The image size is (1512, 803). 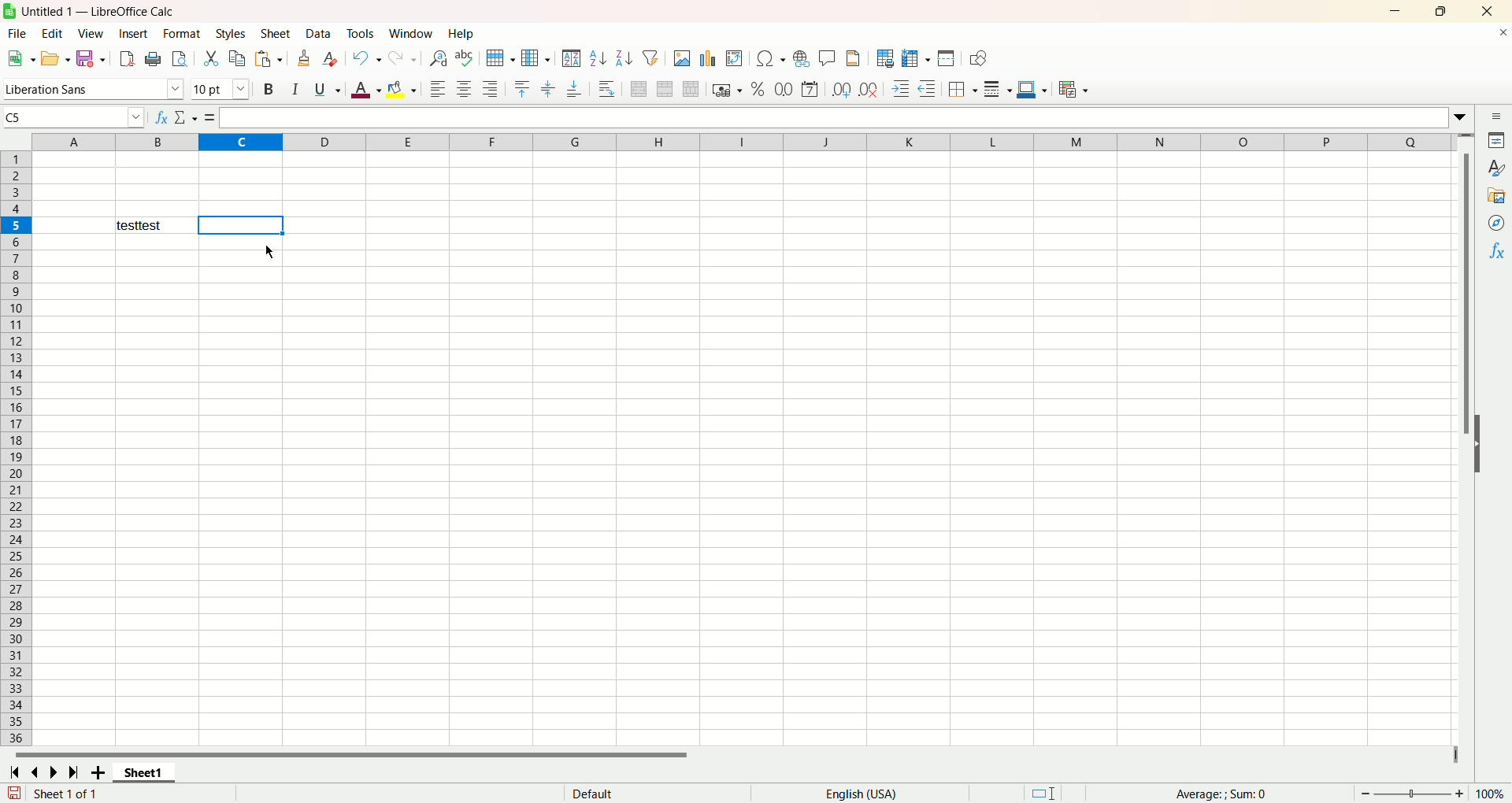 What do you see at coordinates (231, 34) in the screenshot?
I see `styles` at bounding box center [231, 34].